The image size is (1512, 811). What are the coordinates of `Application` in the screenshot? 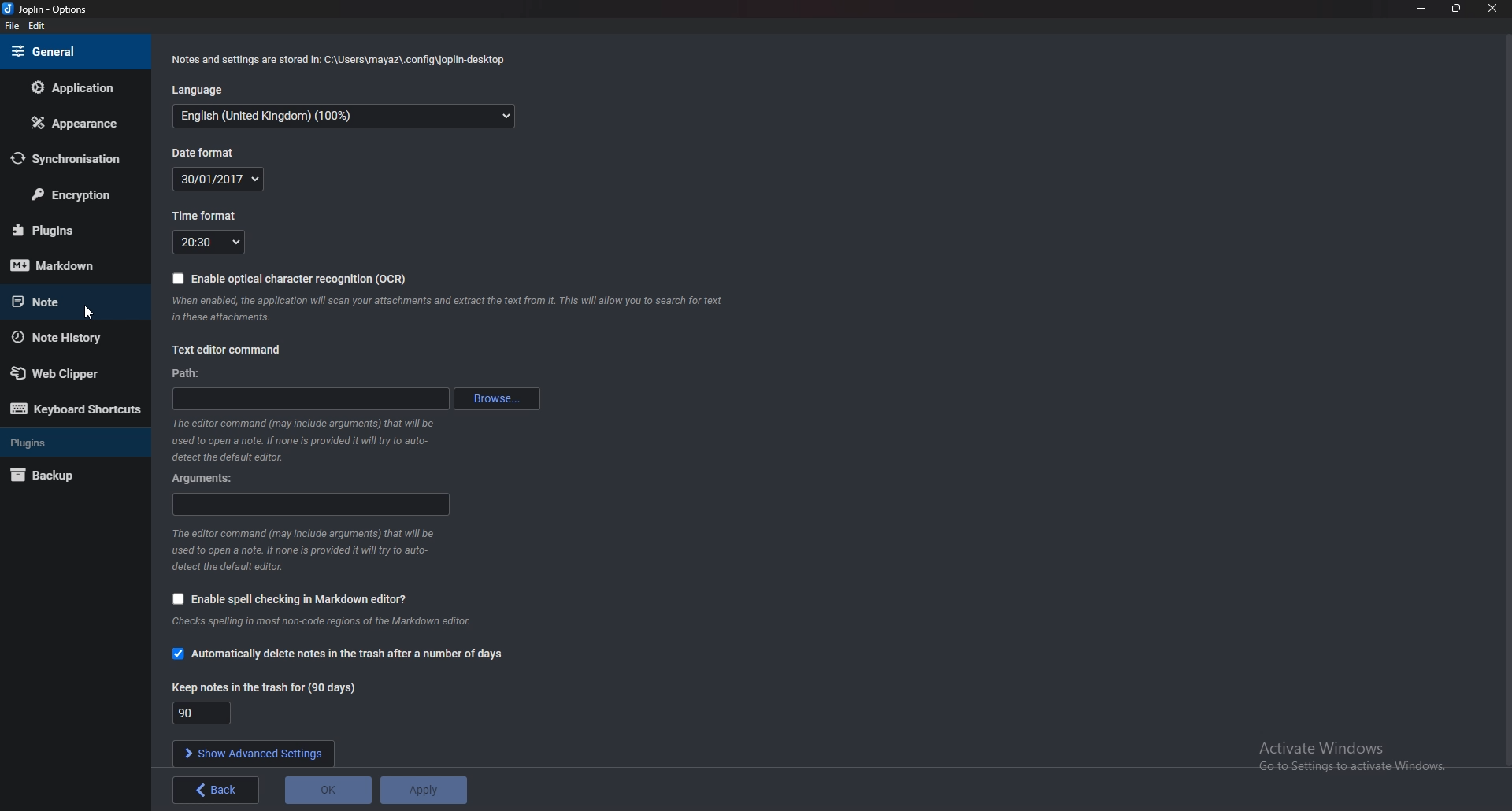 It's located at (69, 91).